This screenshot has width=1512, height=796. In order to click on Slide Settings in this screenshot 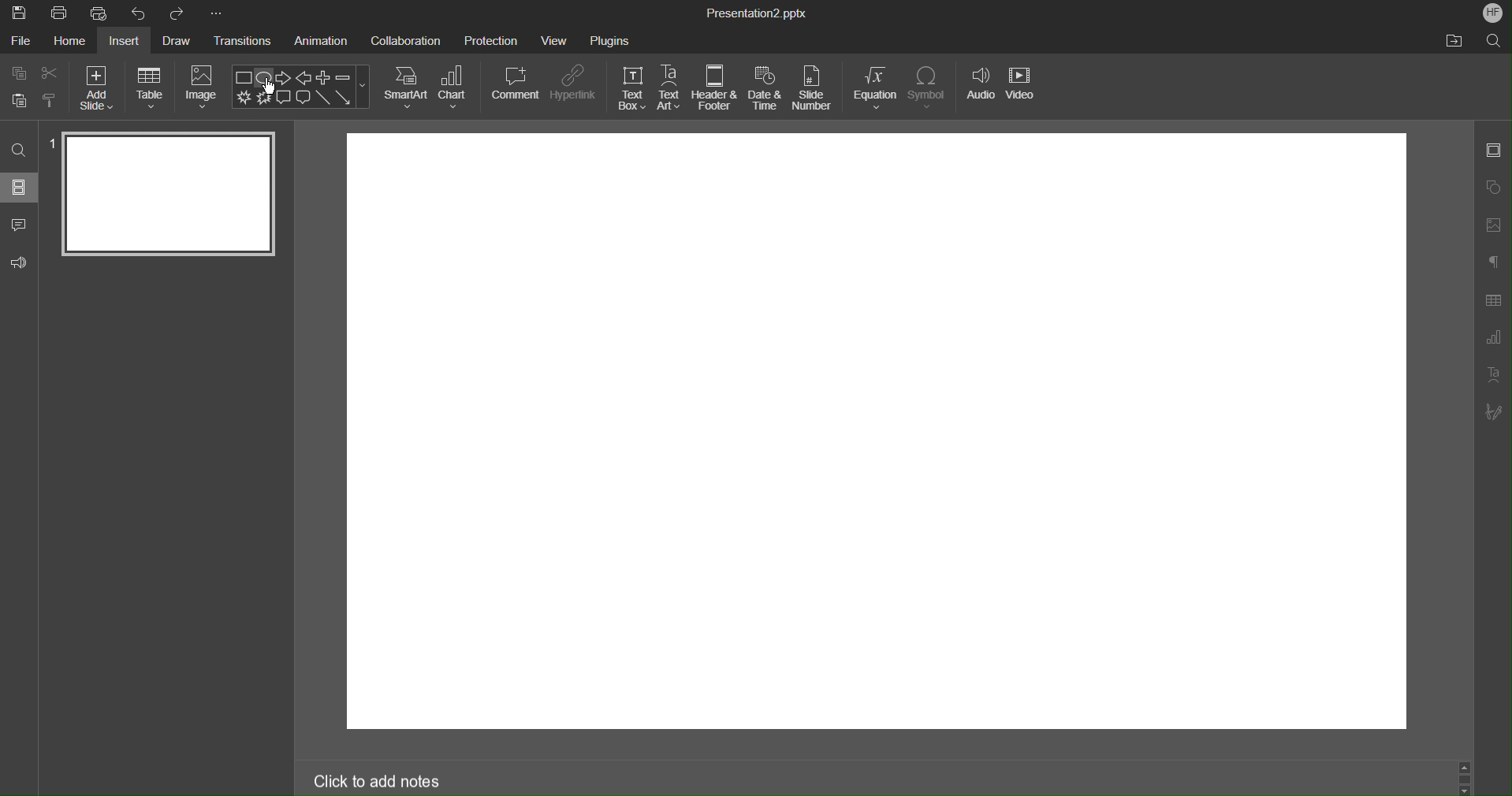, I will do `click(1493, 153)`.